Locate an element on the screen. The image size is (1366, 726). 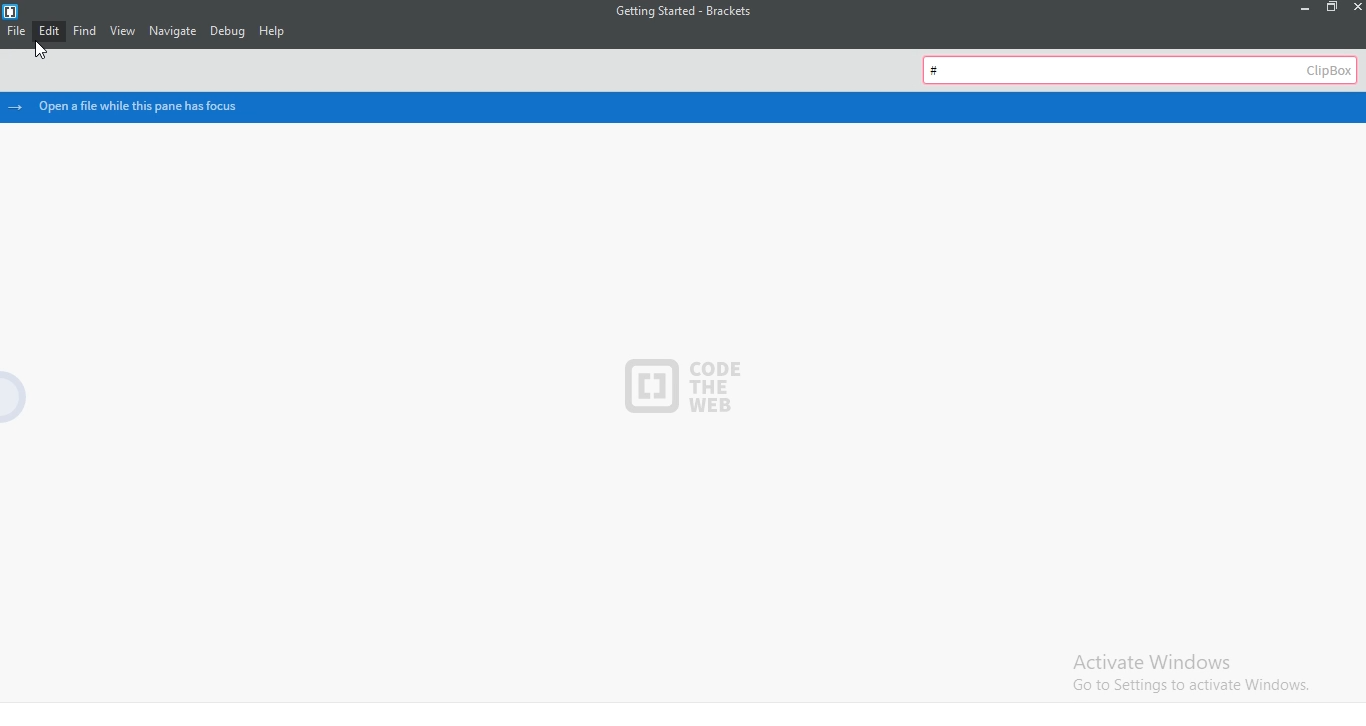
Logo is located at coordinates (11, 11).